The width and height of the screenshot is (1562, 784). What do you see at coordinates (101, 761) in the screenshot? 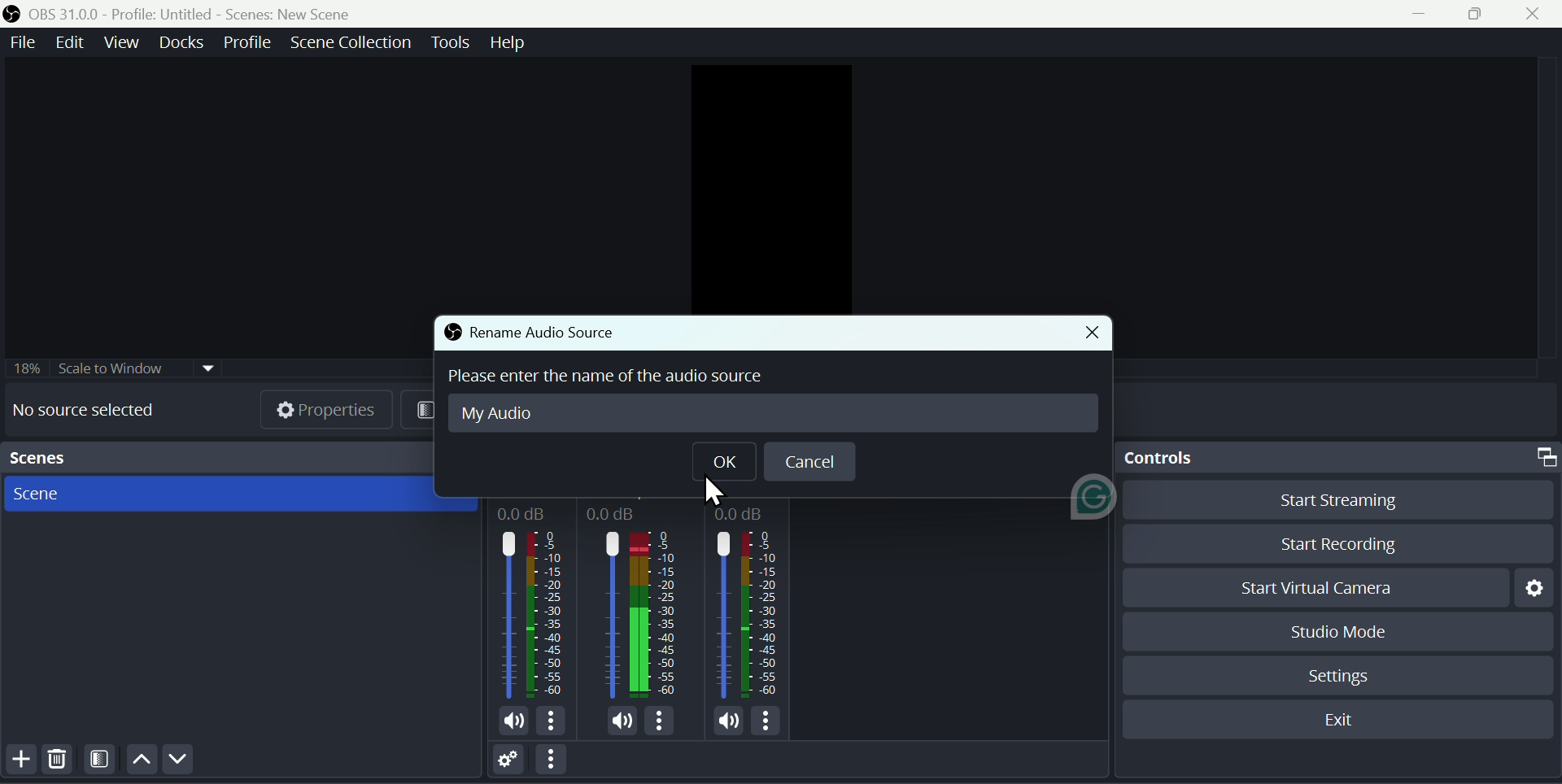
I see `Filter` at bounding box center [101, 761].